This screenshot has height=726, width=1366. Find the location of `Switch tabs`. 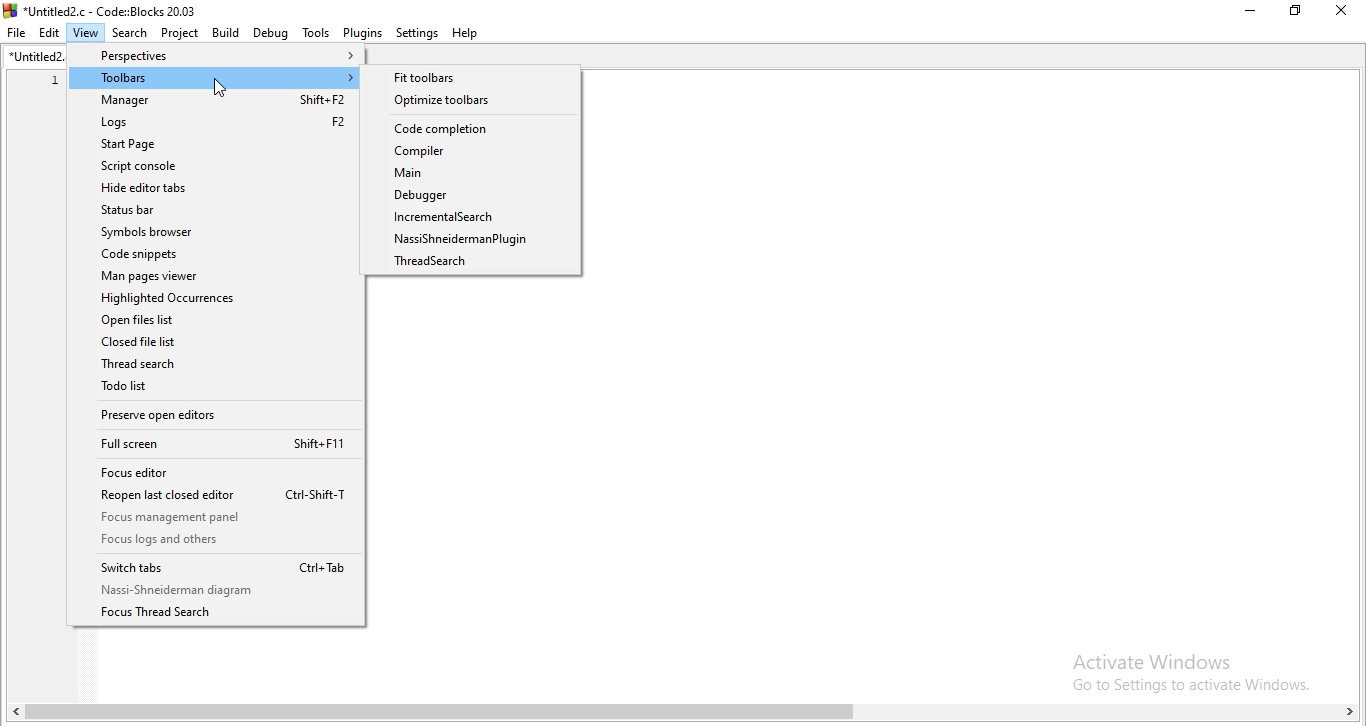

Switch tabs is located at coordinates (220, 567).